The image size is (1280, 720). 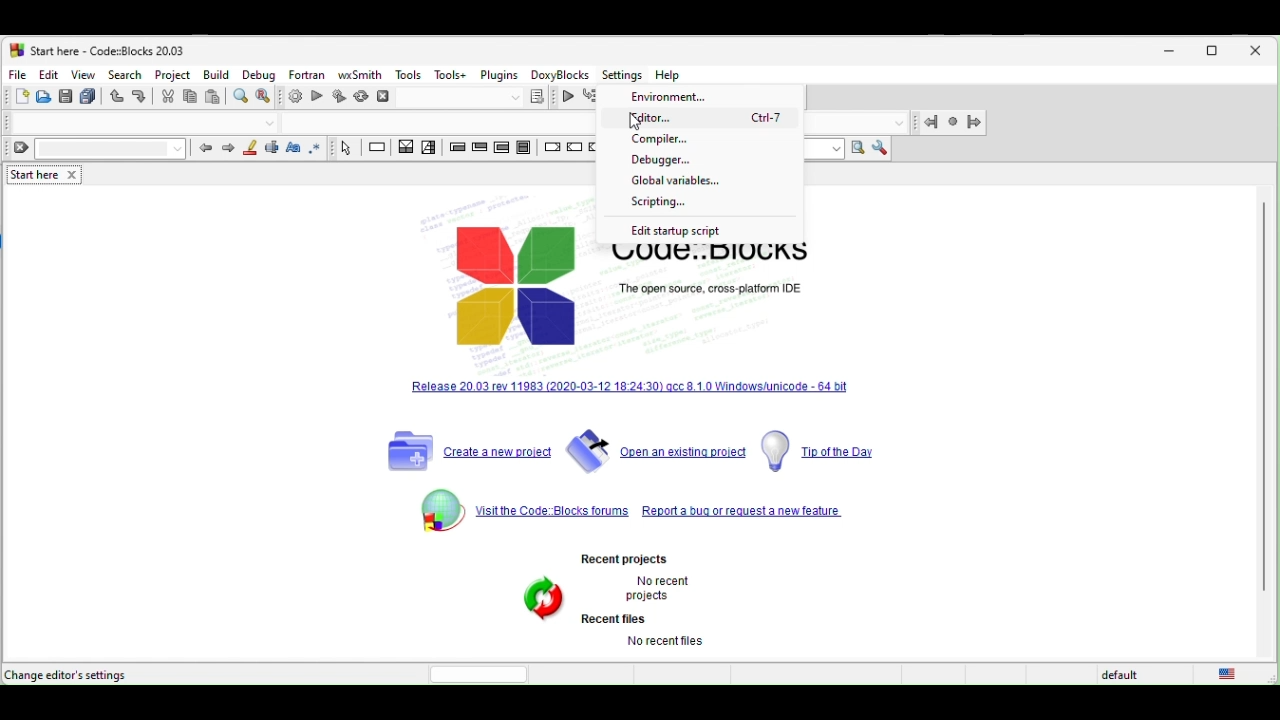 I want to click on Code completion compiler, so click(x=296, y=123).